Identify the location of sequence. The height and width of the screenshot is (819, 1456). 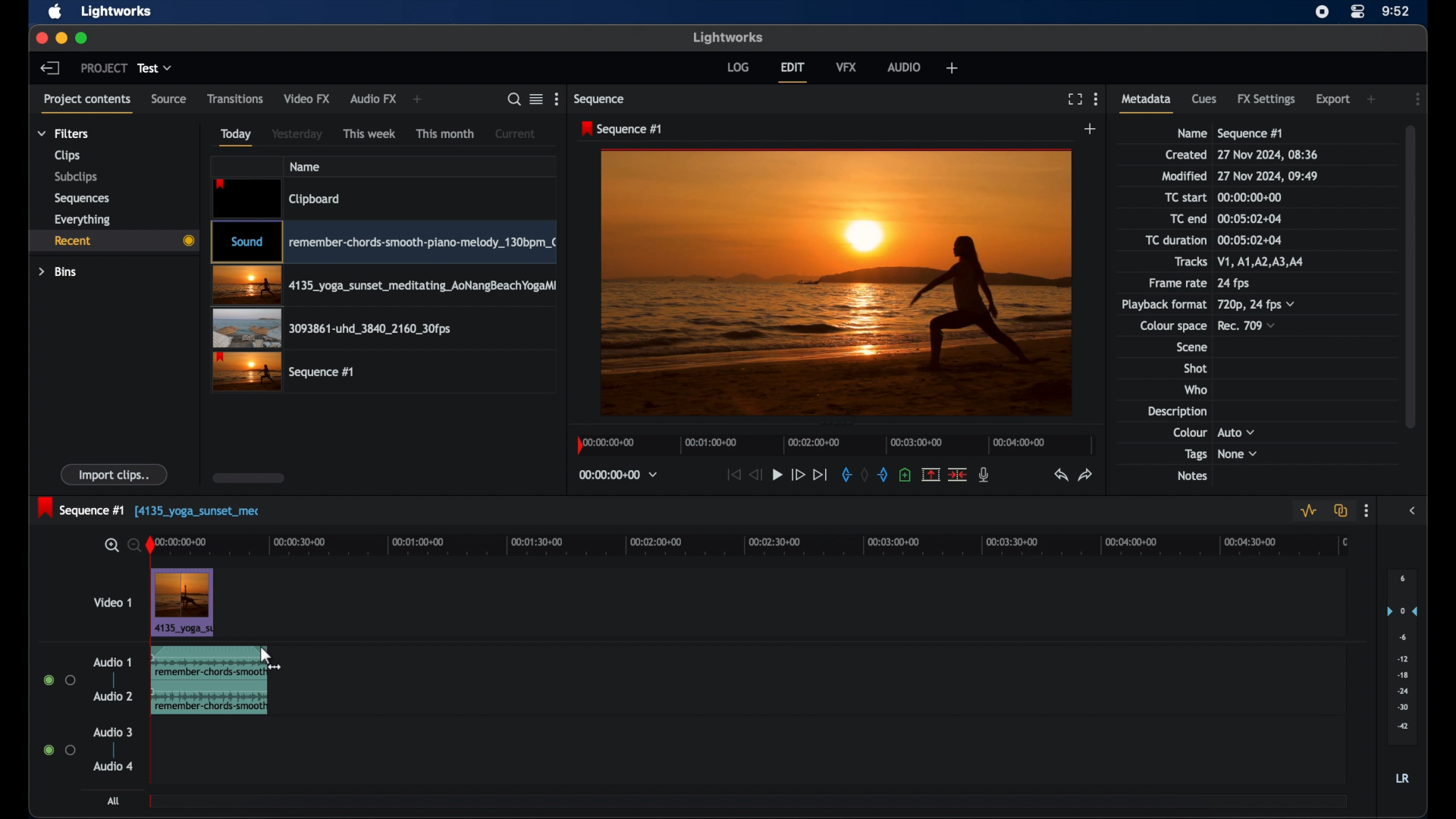
(601, 100).